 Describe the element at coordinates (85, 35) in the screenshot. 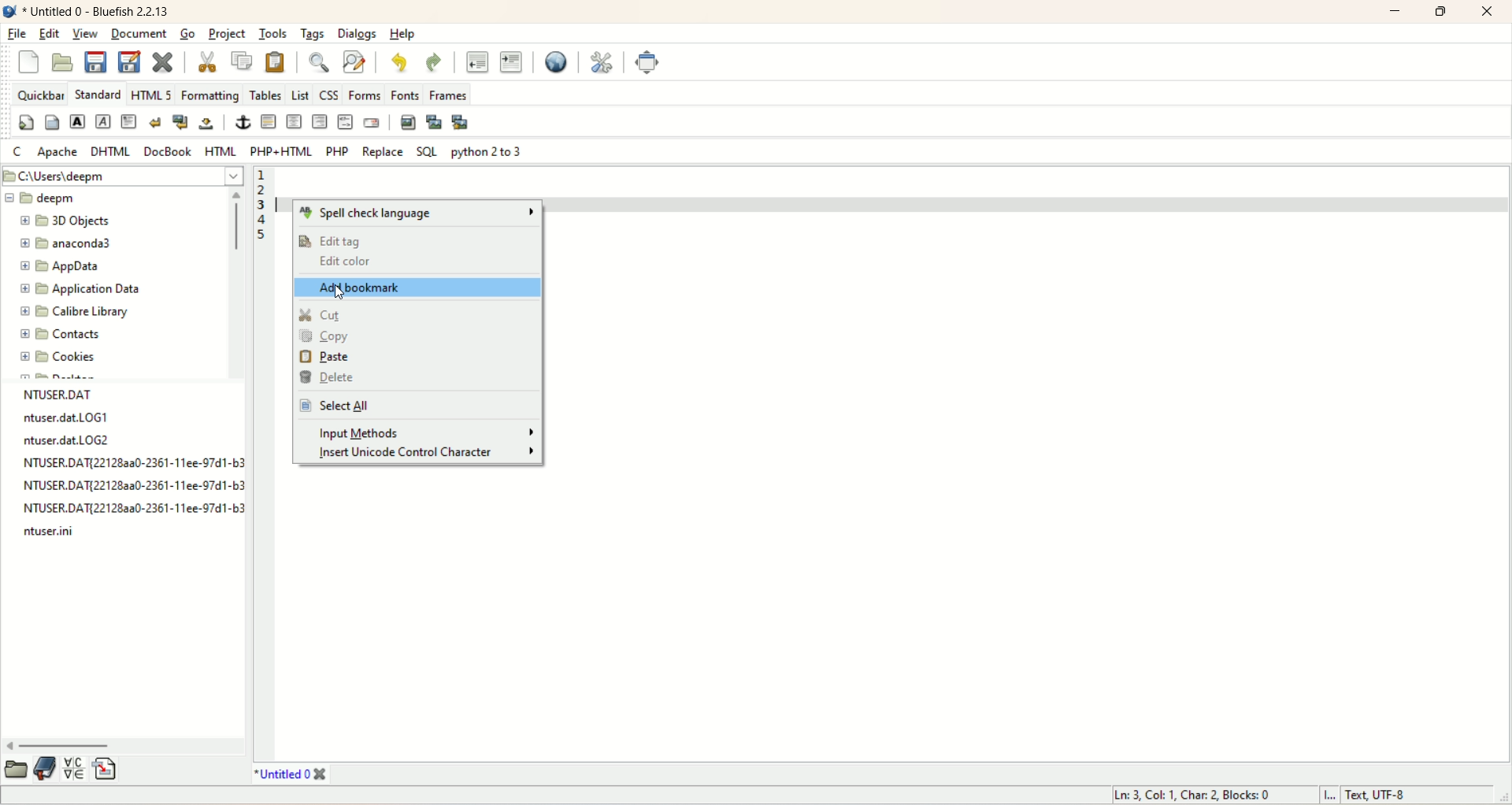

I see `view` at that location.